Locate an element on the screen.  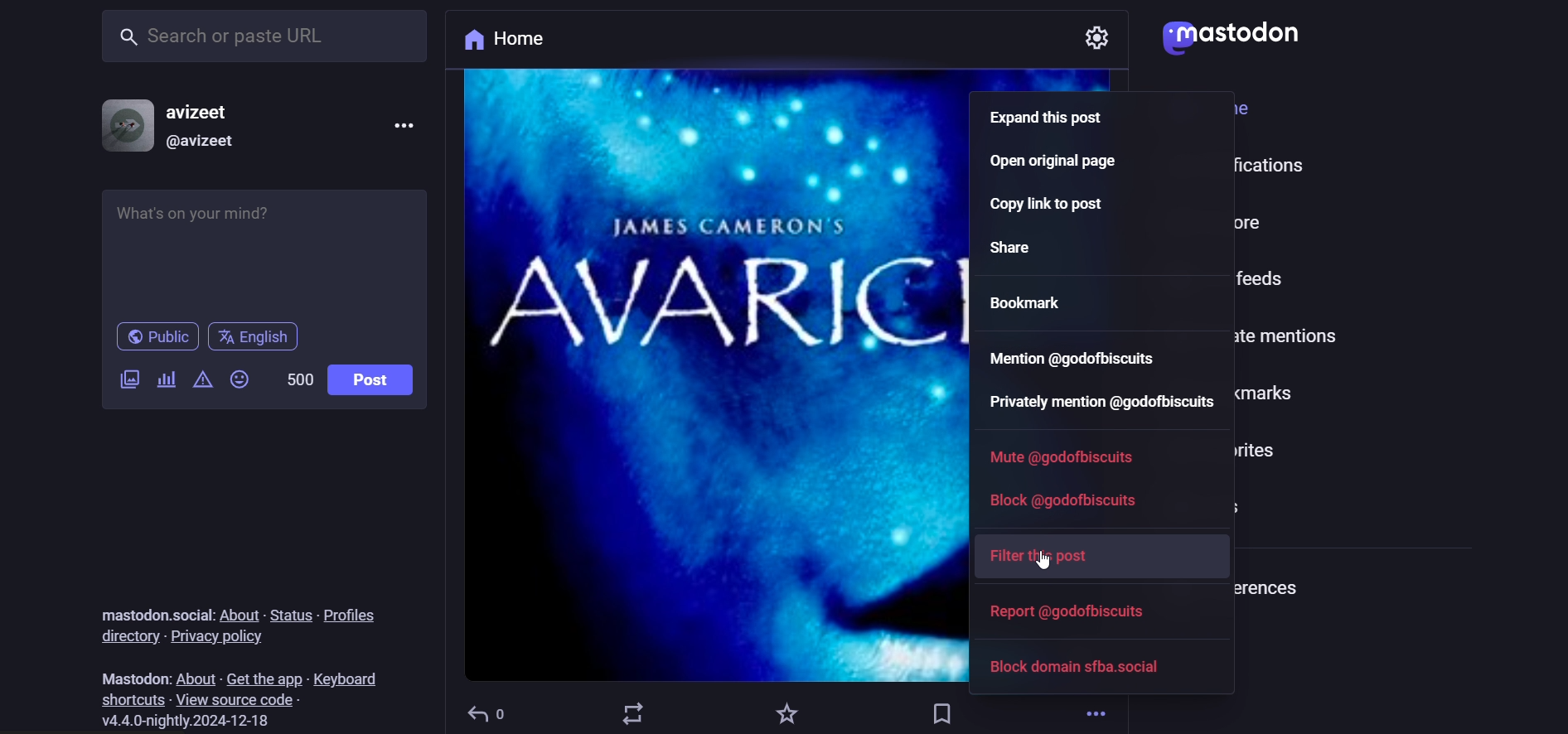
open original page is located at coordinates (1059, 163).